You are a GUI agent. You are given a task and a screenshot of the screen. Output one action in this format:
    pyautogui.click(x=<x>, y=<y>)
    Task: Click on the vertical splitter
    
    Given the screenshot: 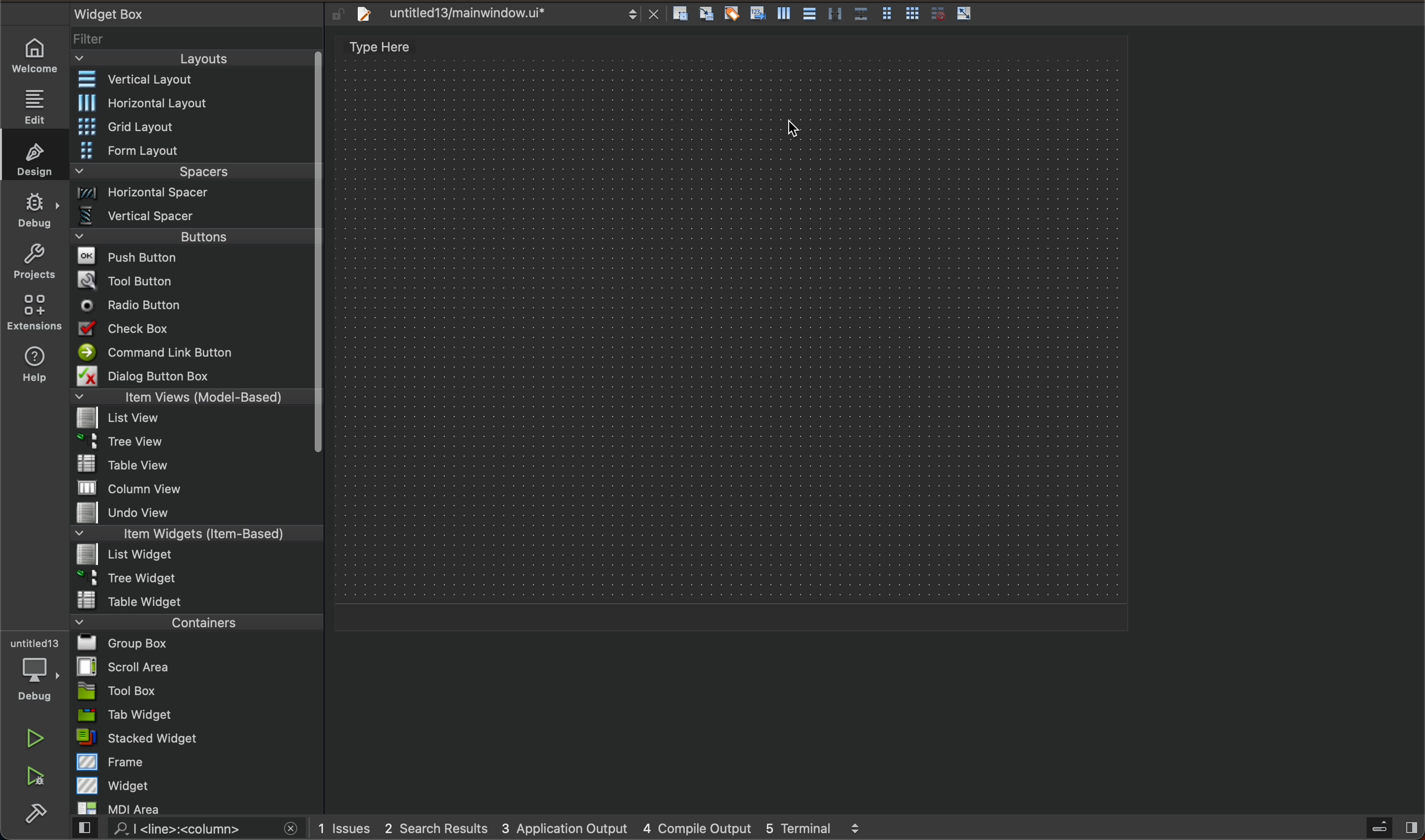 What is the action you would take?
    pyautogui.click(x=834, y=14)
    